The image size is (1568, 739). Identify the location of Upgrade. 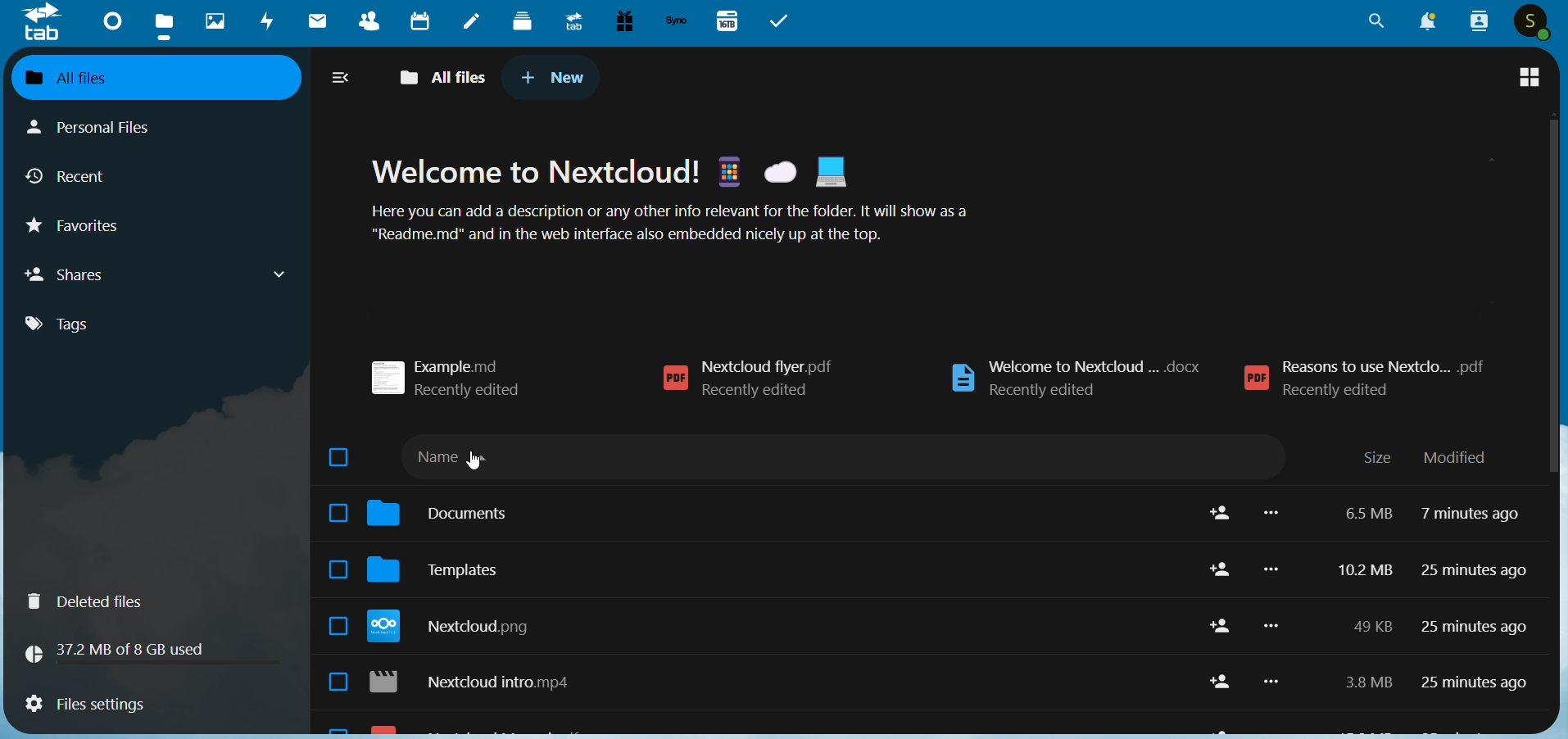
(573, 21).